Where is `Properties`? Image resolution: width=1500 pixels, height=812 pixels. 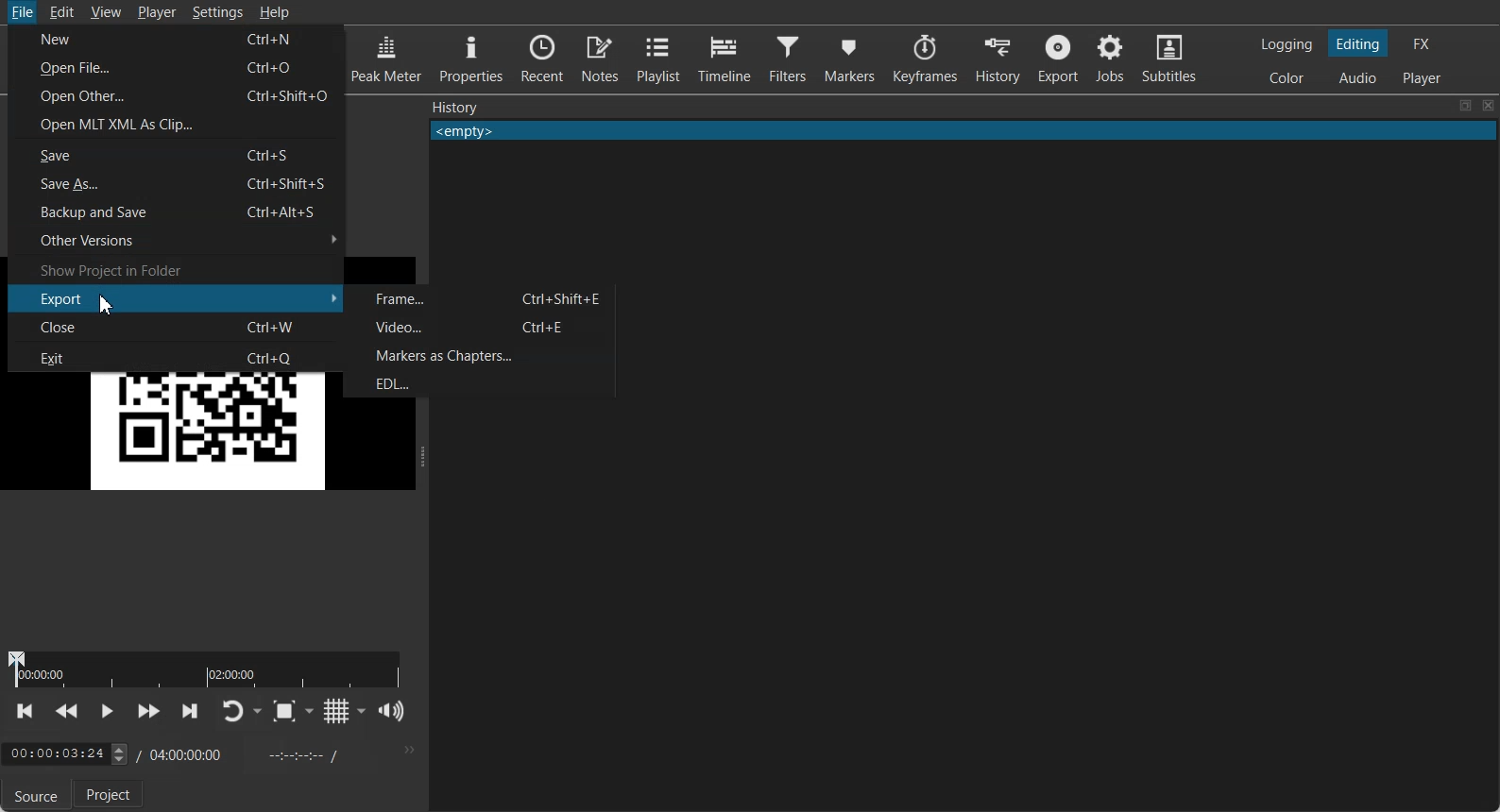 Properties is located at coordinates (469, 56).